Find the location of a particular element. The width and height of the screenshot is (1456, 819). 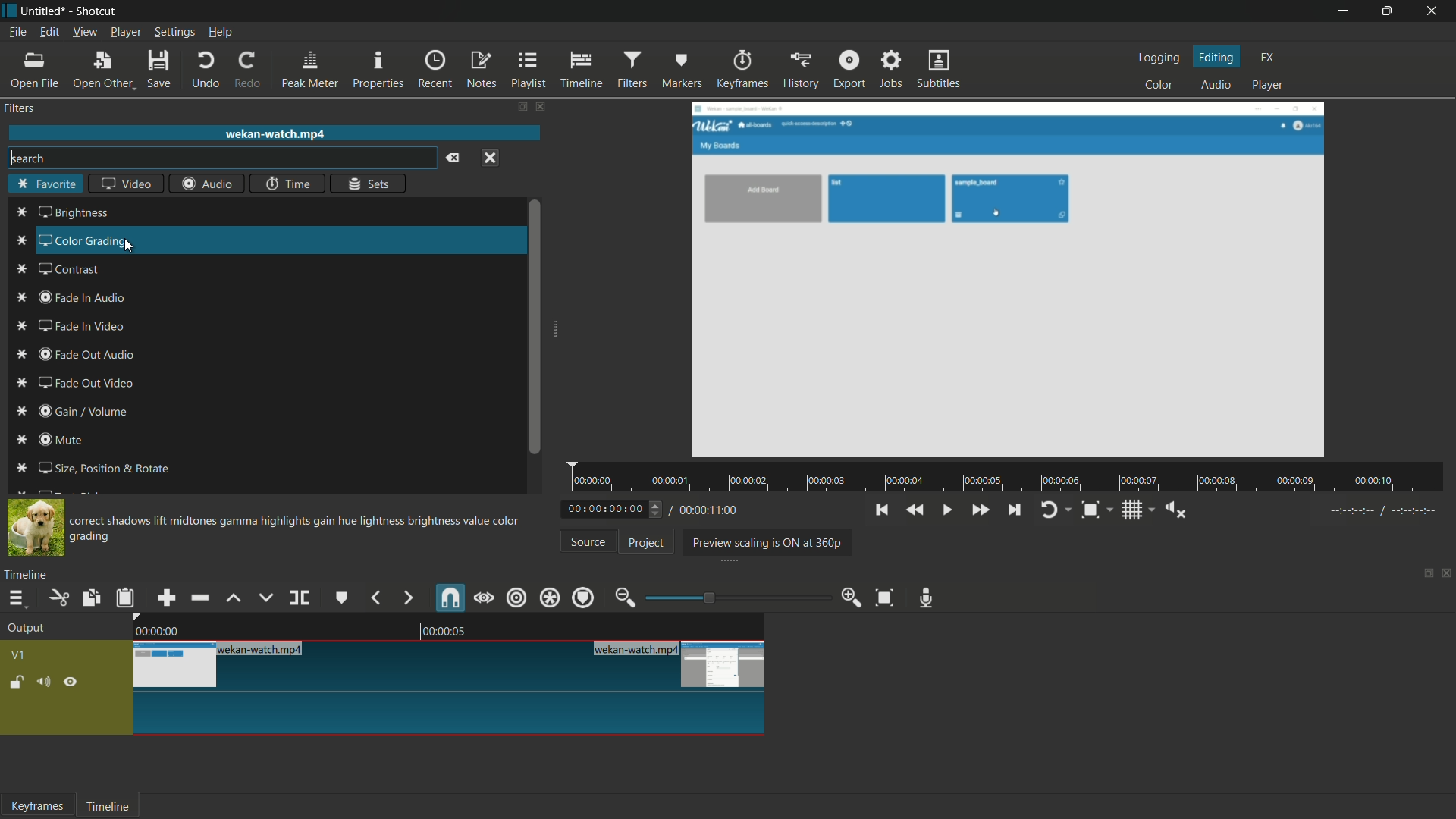

export is located at coordinates (850, 71).